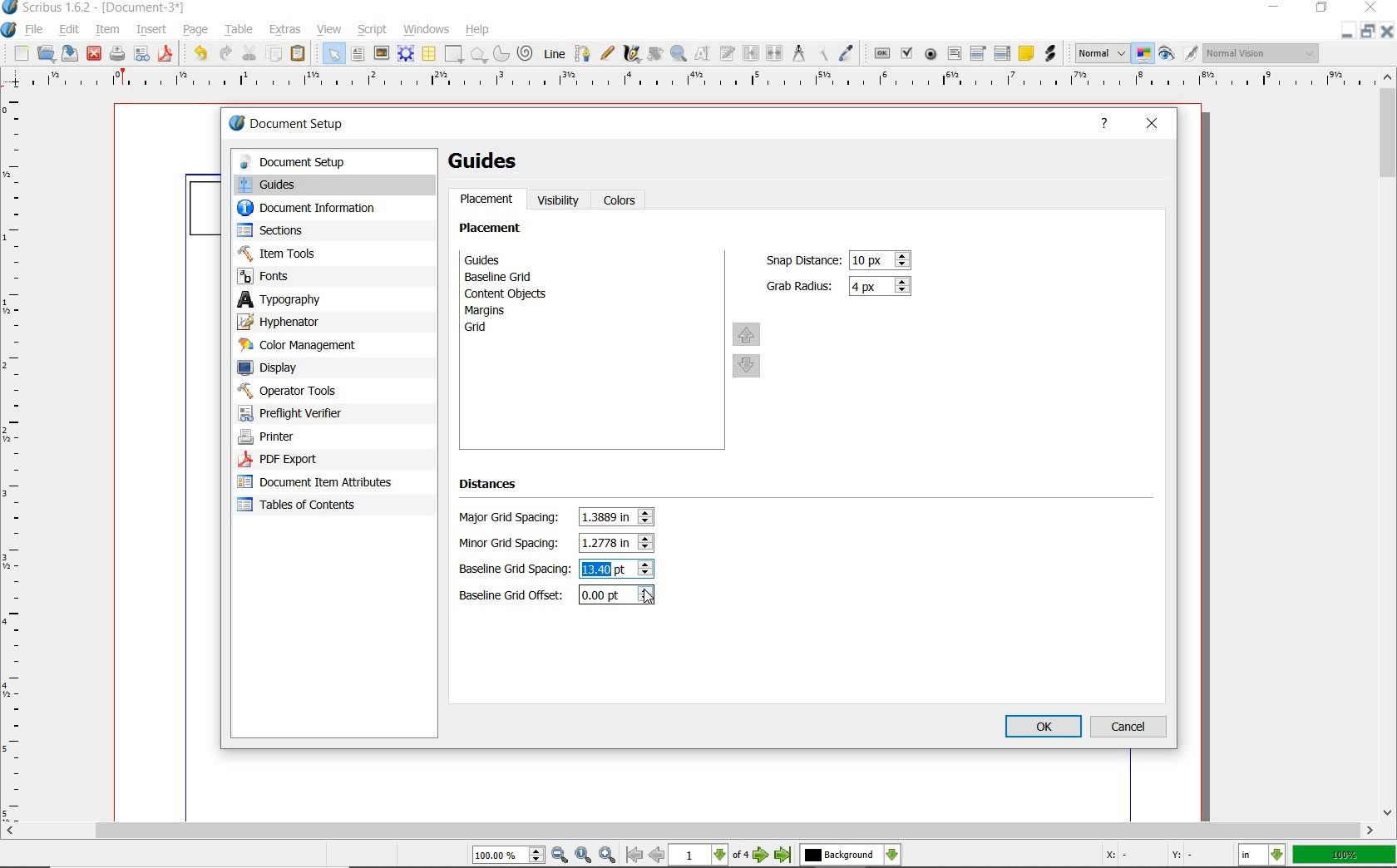 The image size is (1397, 868). What do you see at coordinates (327, 391) in the screenshot?
I see `operator tools` at bounding box center [327, 391].